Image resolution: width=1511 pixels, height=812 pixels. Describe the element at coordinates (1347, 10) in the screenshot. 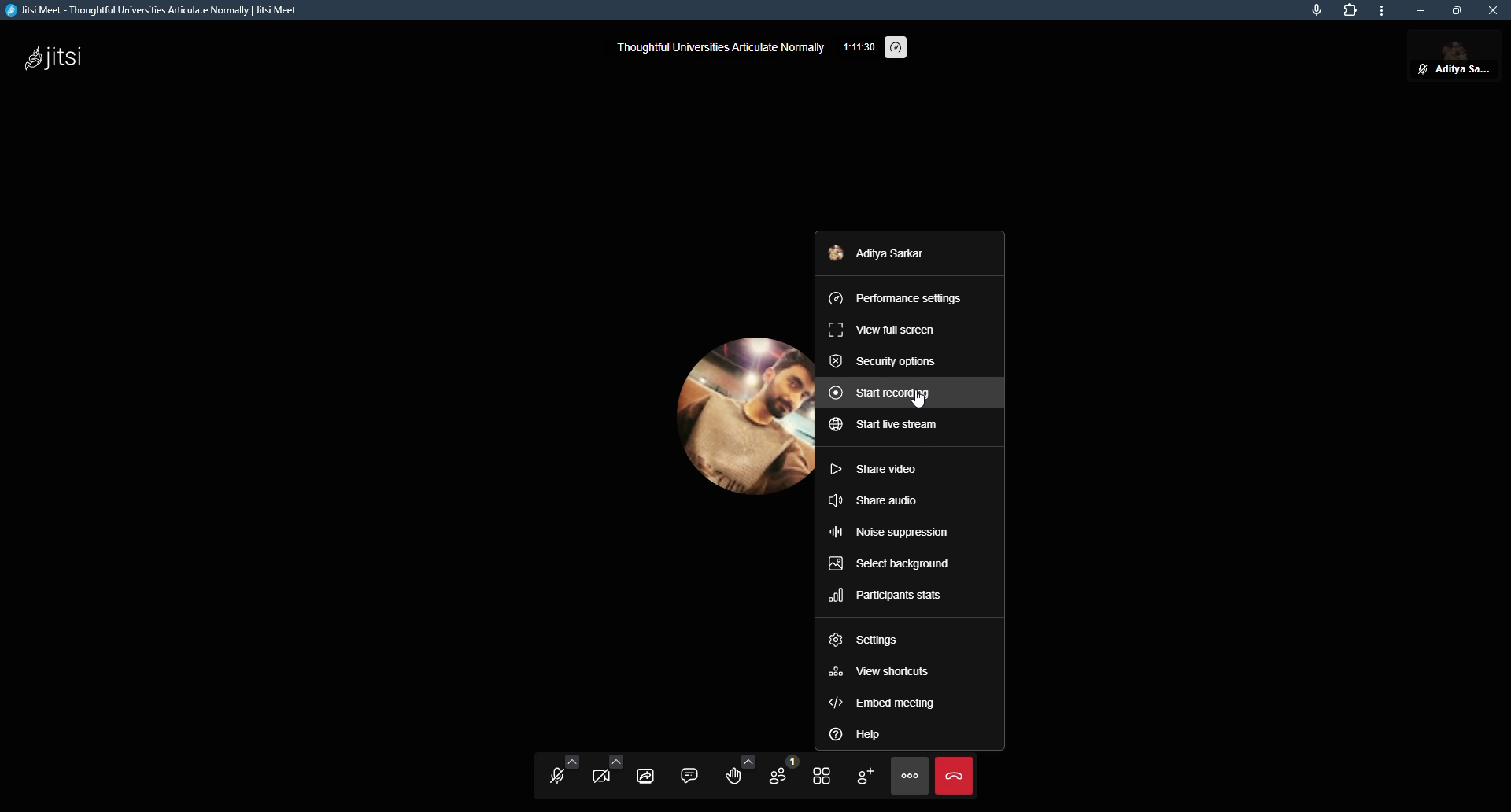

I see `extensions` at that location.